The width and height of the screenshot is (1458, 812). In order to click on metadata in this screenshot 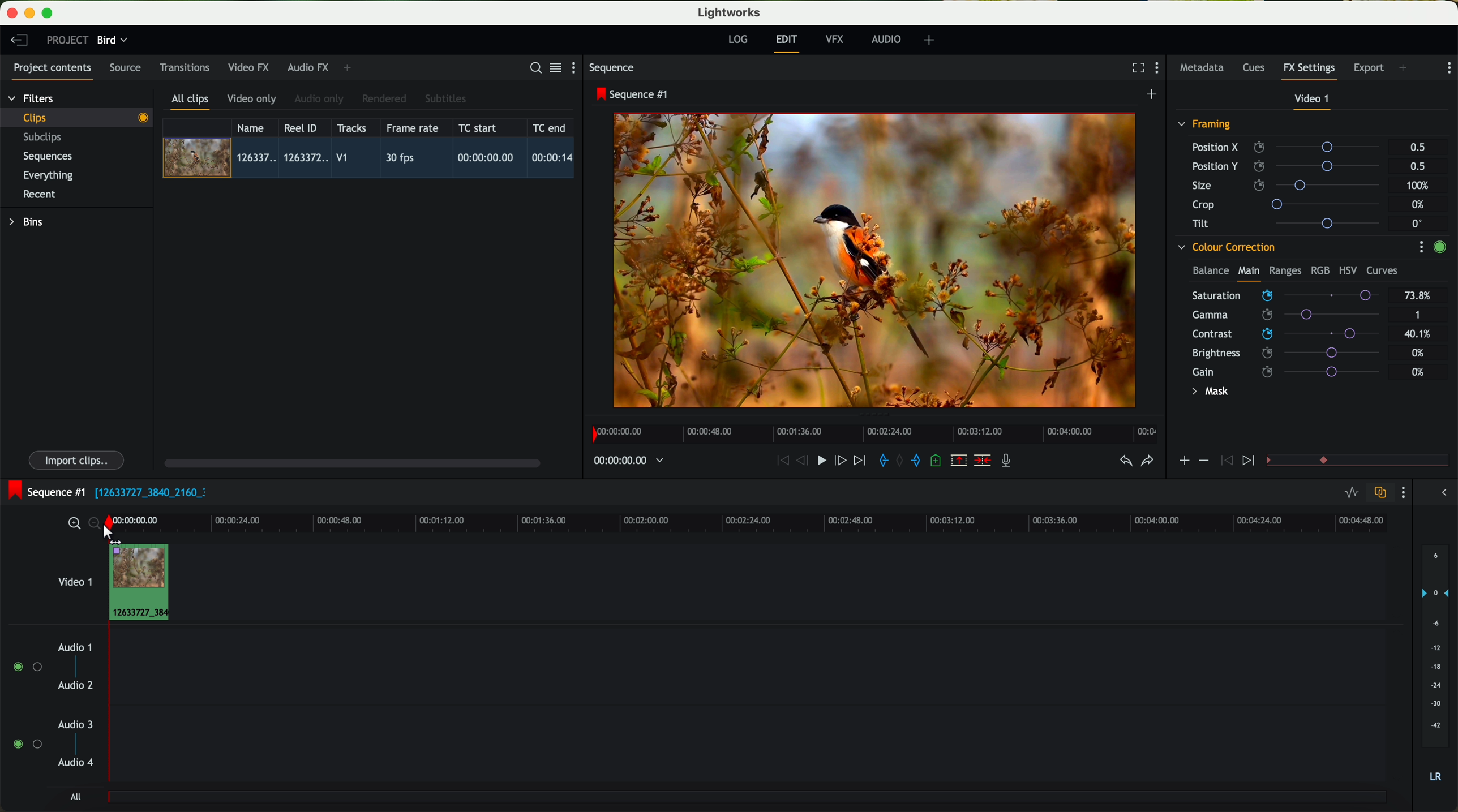, I will do `click(1204, 68)`.